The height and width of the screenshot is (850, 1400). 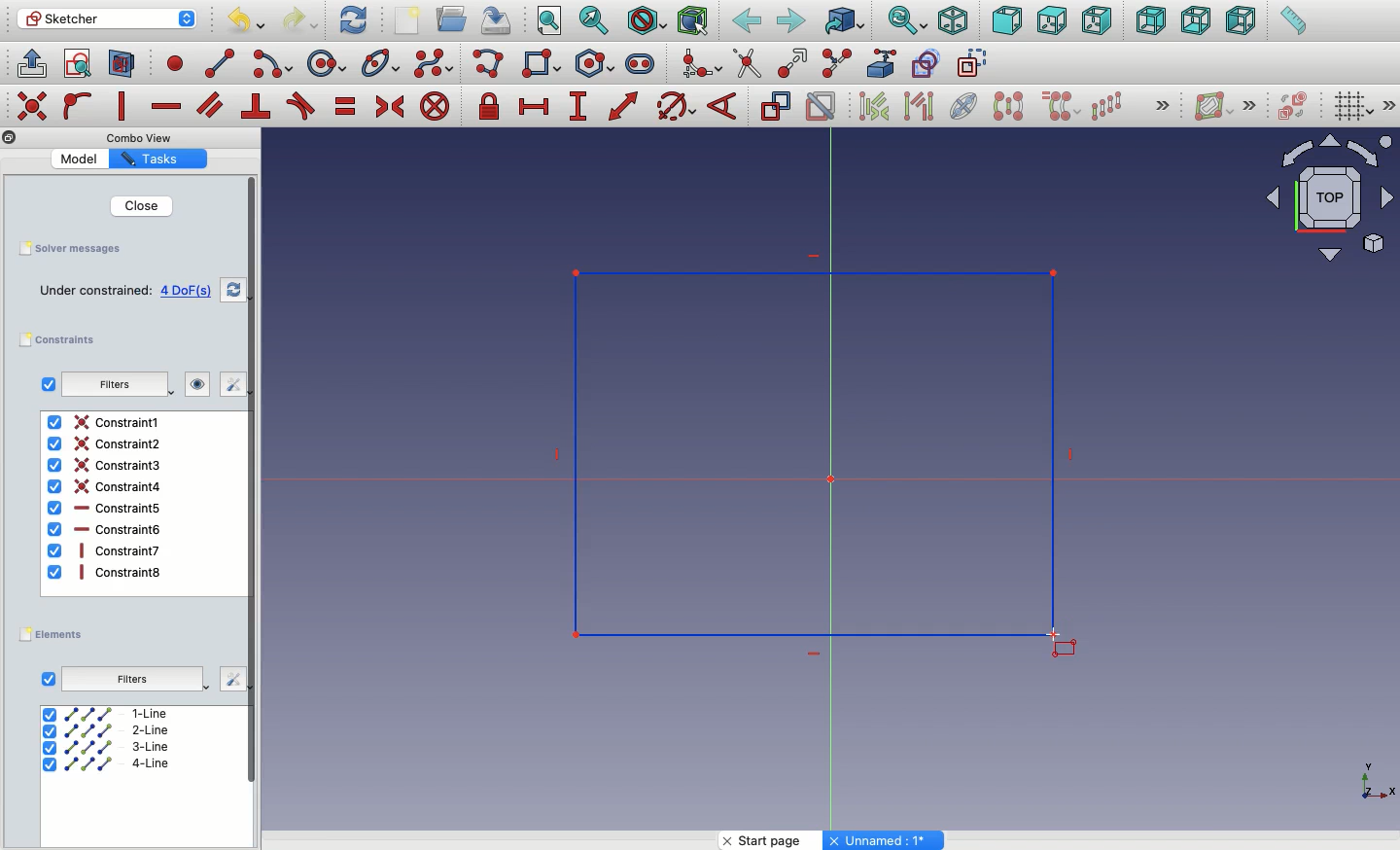 I want to click on Show hide B spline information layer, so click(x=1215, y=106).